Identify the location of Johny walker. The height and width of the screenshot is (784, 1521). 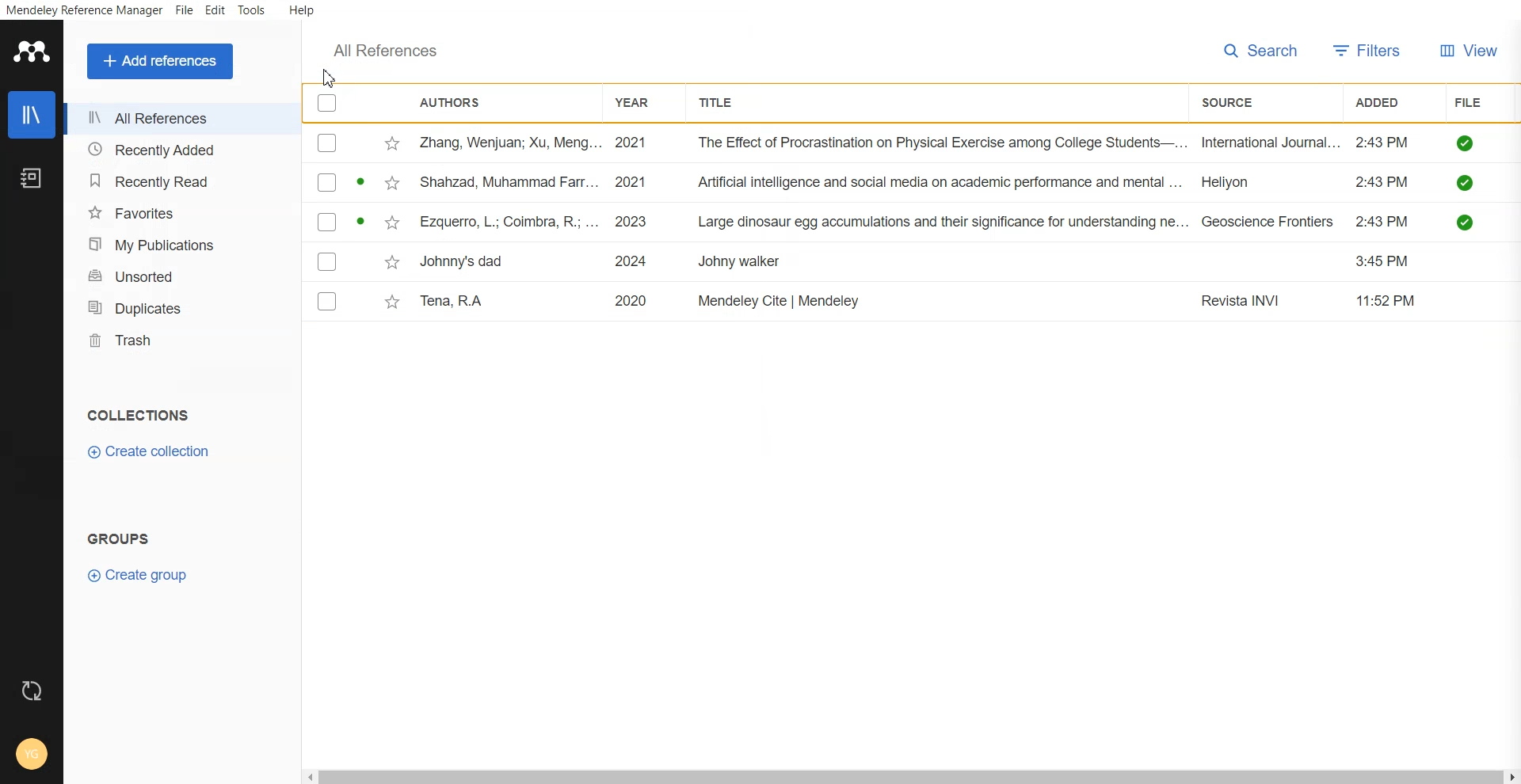
(741, 263).